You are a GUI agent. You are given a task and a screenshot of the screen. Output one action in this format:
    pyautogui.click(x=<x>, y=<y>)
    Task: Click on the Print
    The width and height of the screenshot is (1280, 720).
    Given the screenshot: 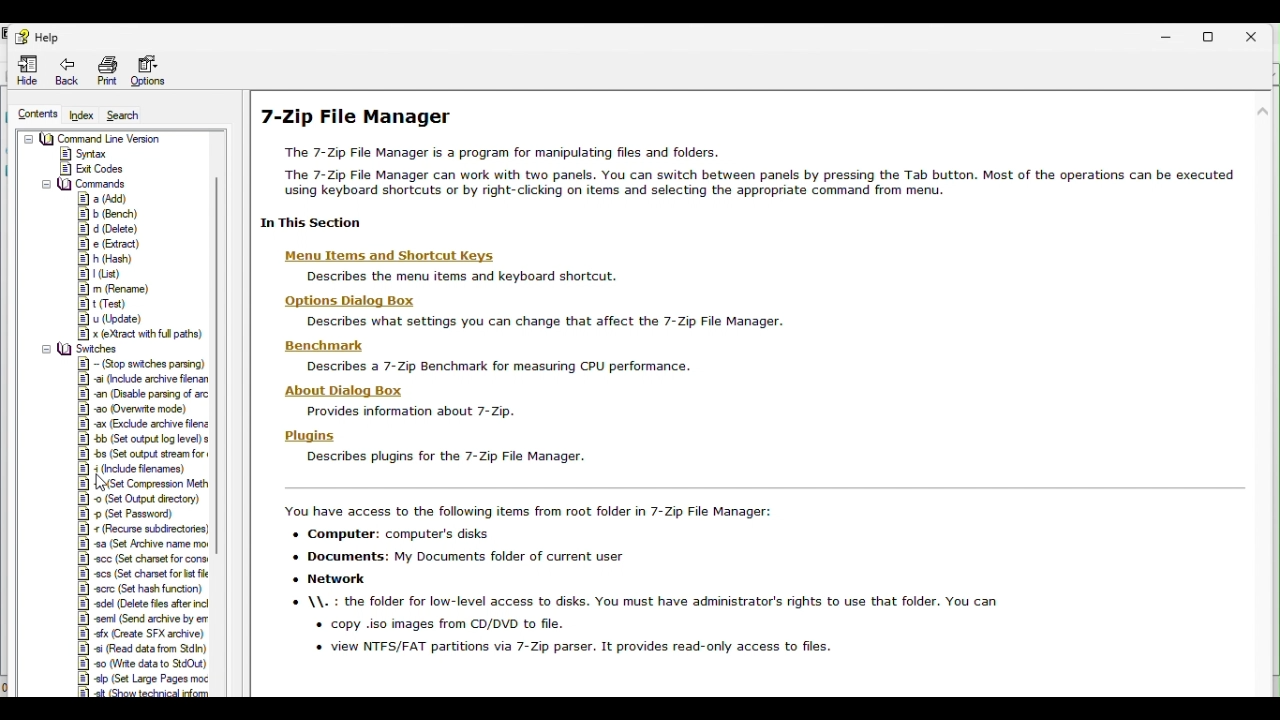 What is the action you would take?
    pyautogui.click(x=108, y=69)
    